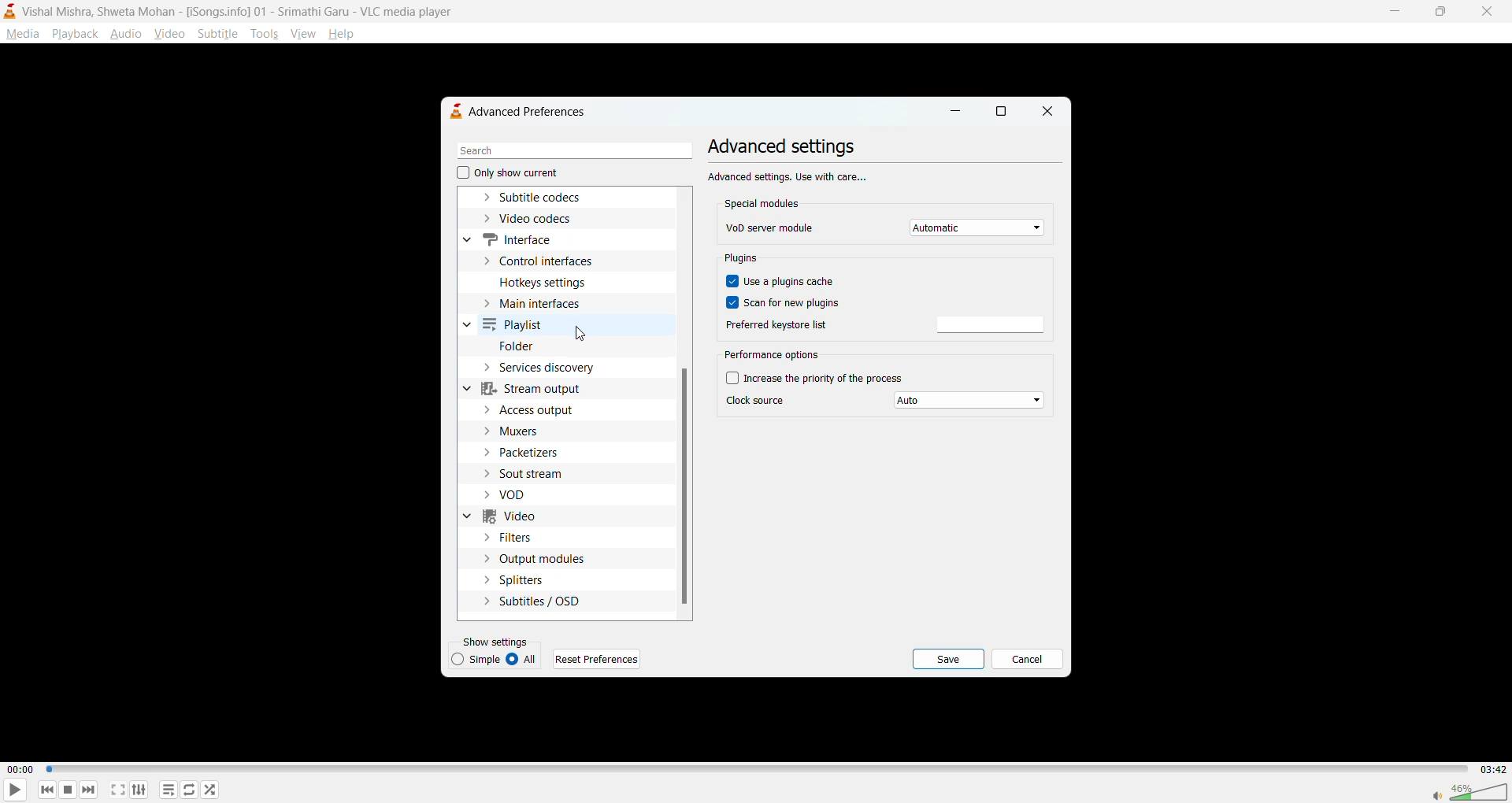 The width and height of the screenshot is (1512, 803). What do you see at coordinates (263, 34) in the screenshot?
I see `tools` at bounding box center [263, 34].